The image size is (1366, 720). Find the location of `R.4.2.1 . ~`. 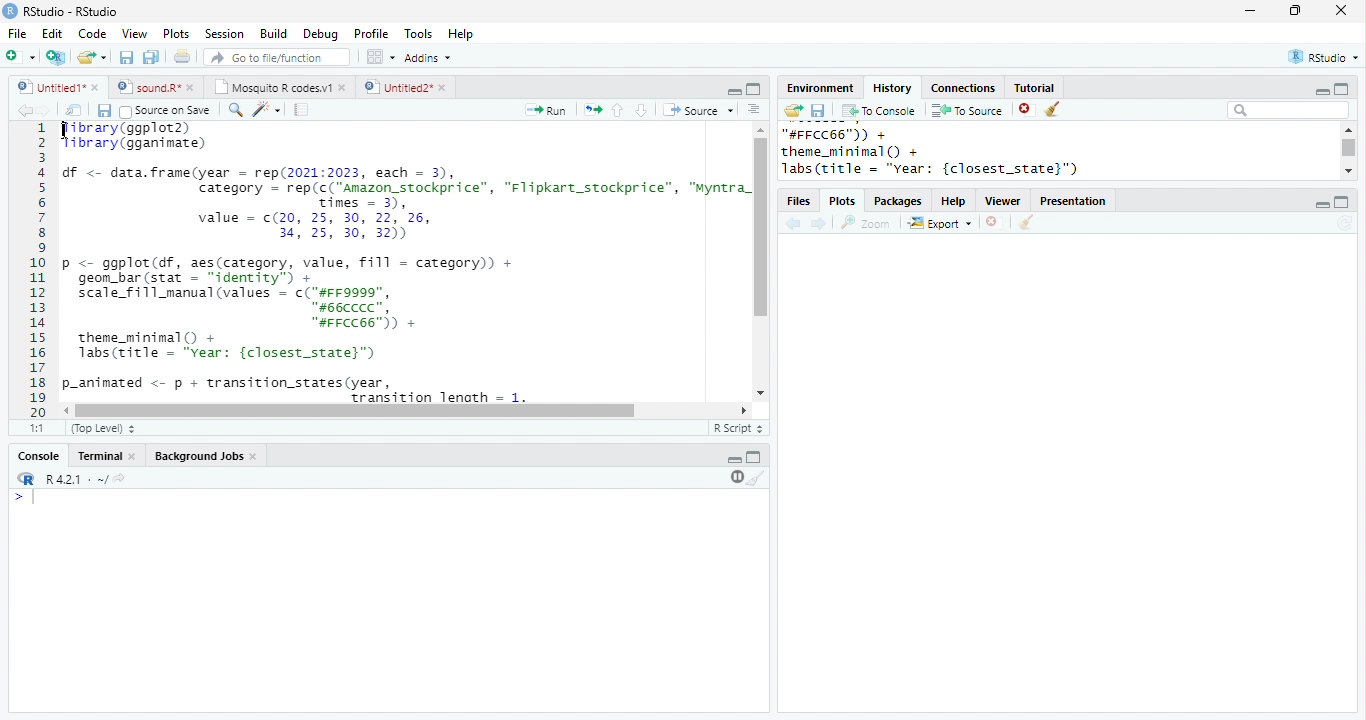

R.4.2.1 . ~ is located at coordinates (75, 478).